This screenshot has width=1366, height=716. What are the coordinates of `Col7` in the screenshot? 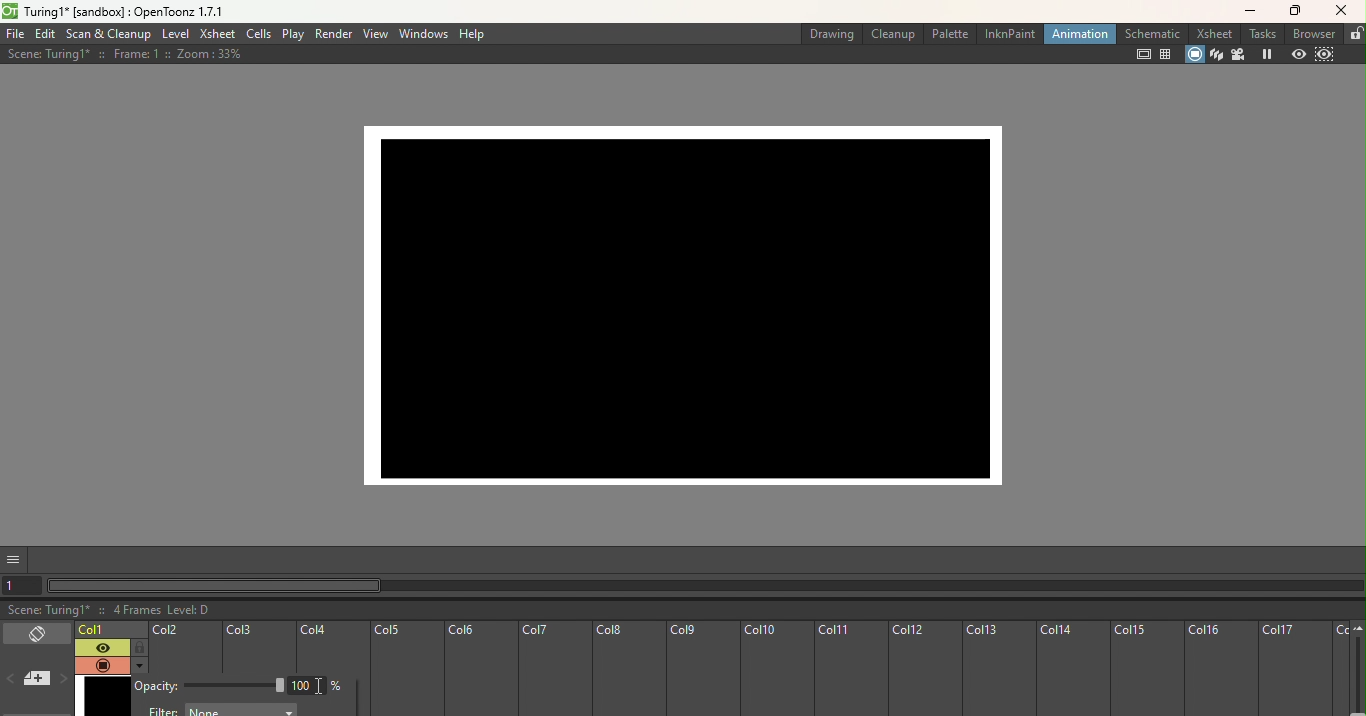 It's located at (553, 670).